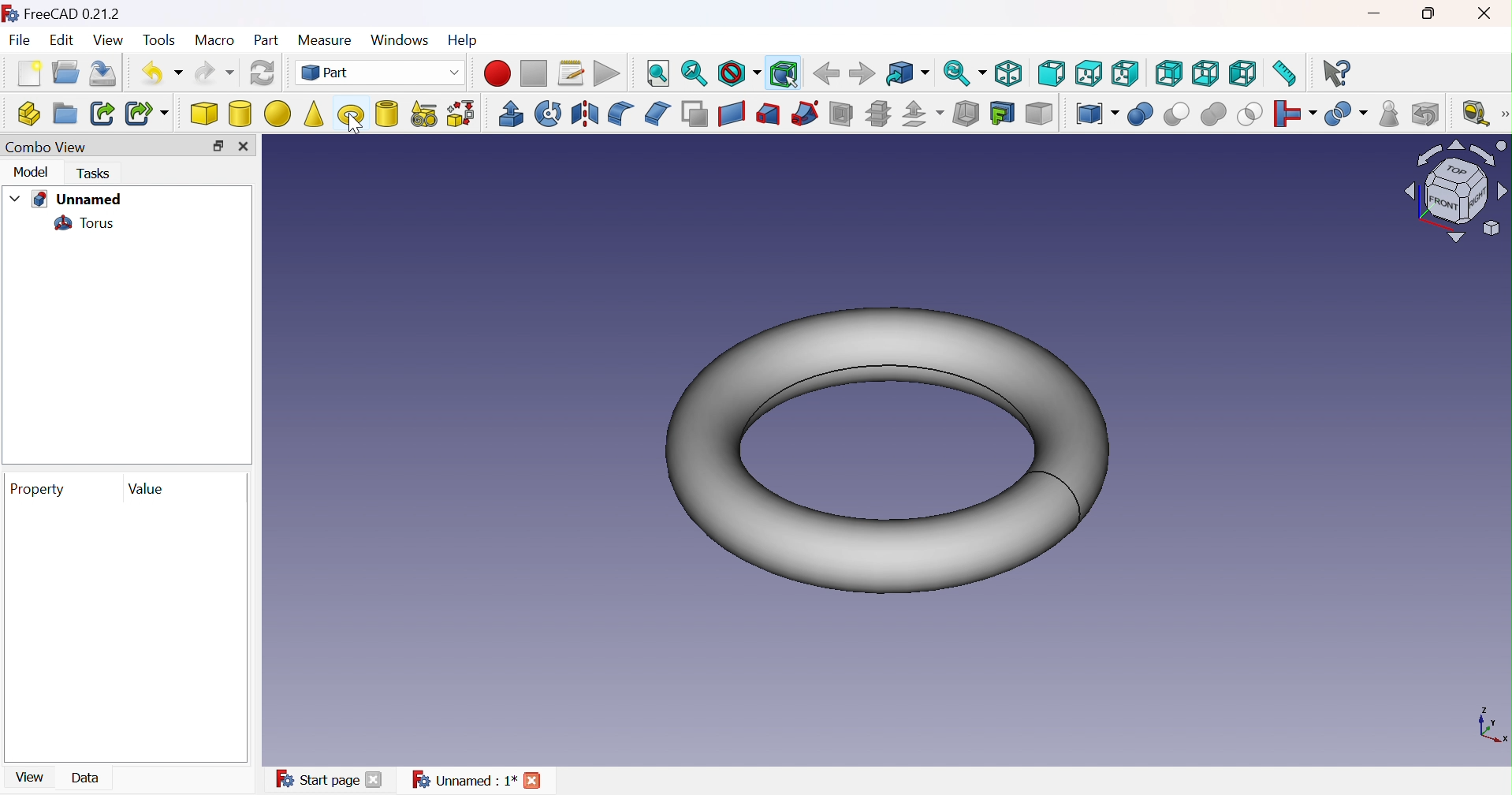 This screenshot has width=1512, height=795. What do you see at coordinates (1205, 73) in the screenshot?
I see `Bottom` at bounding box center [1205, 73].